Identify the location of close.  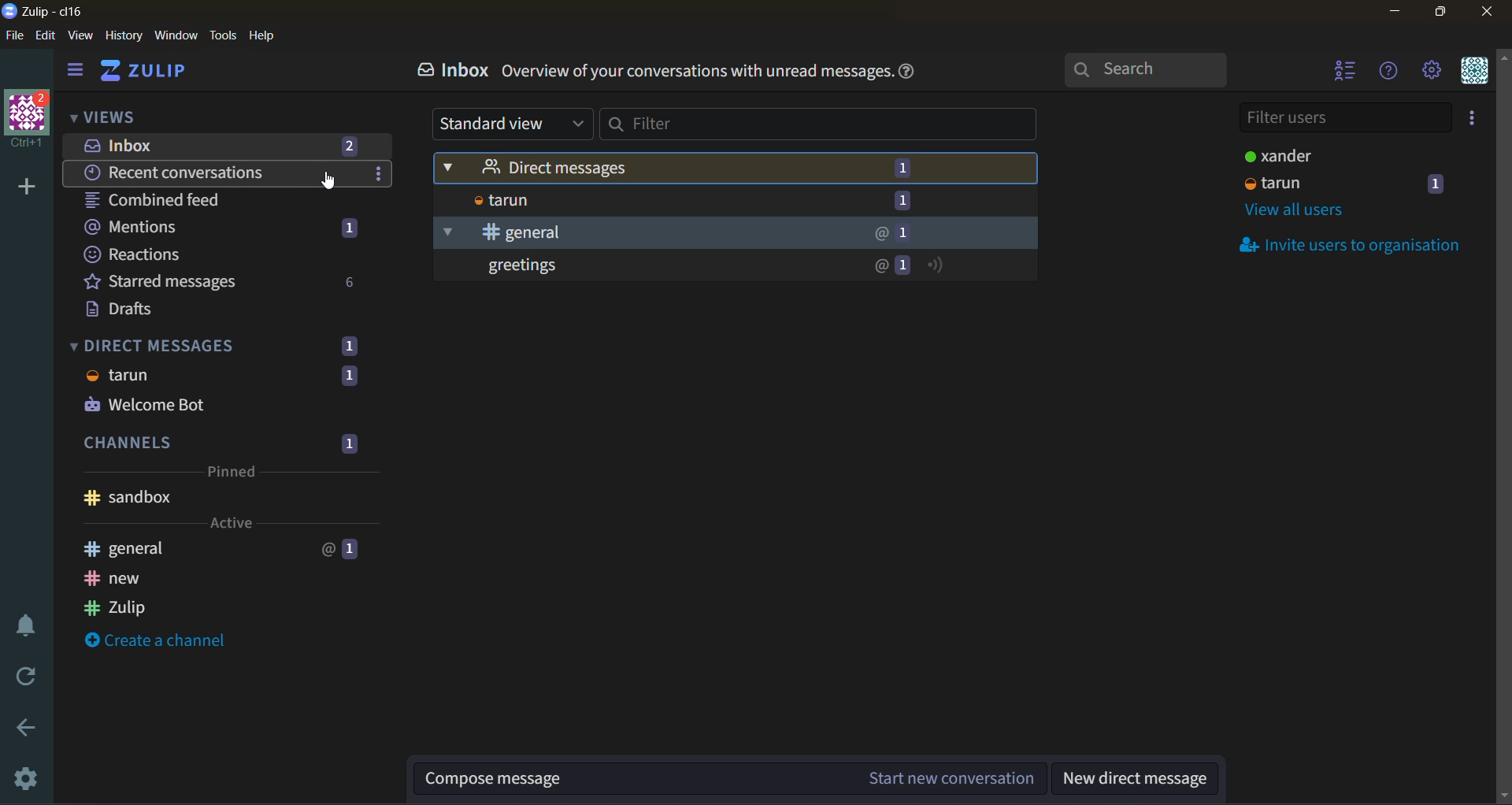
(1488, 13).